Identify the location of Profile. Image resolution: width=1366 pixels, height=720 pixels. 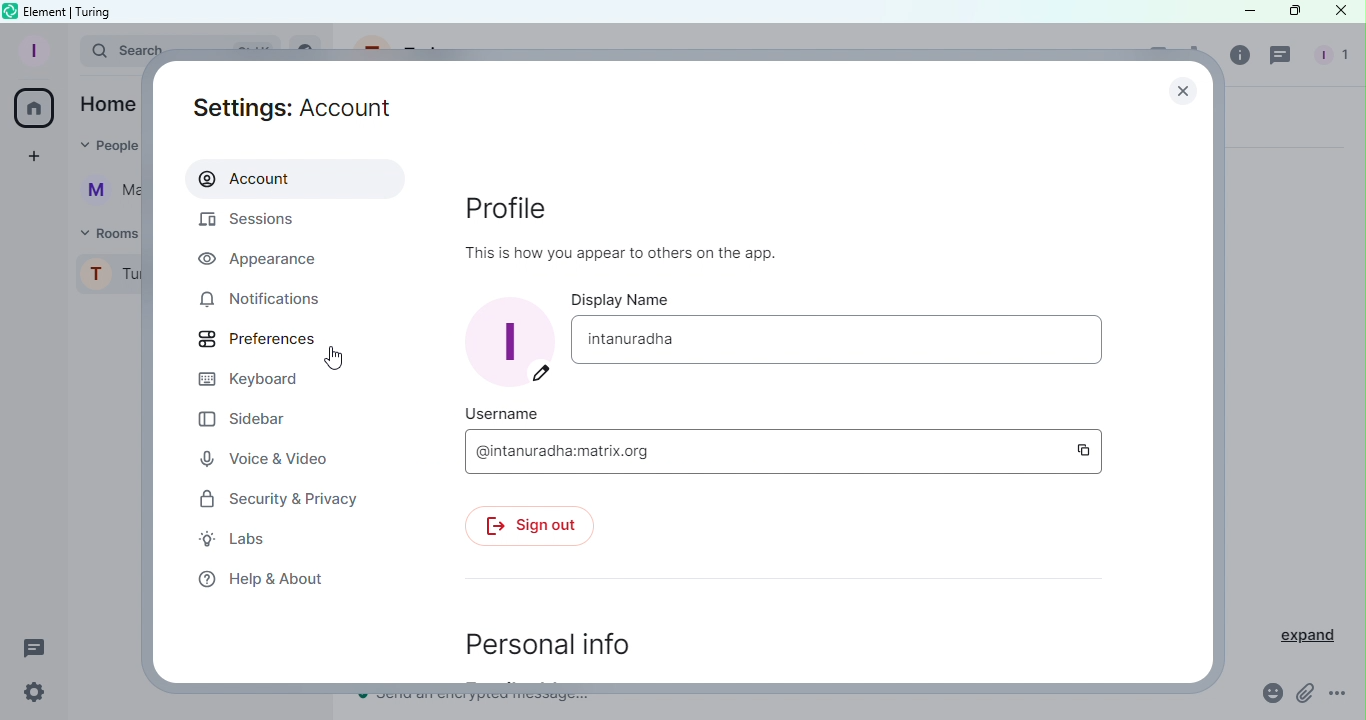
(31, 50).